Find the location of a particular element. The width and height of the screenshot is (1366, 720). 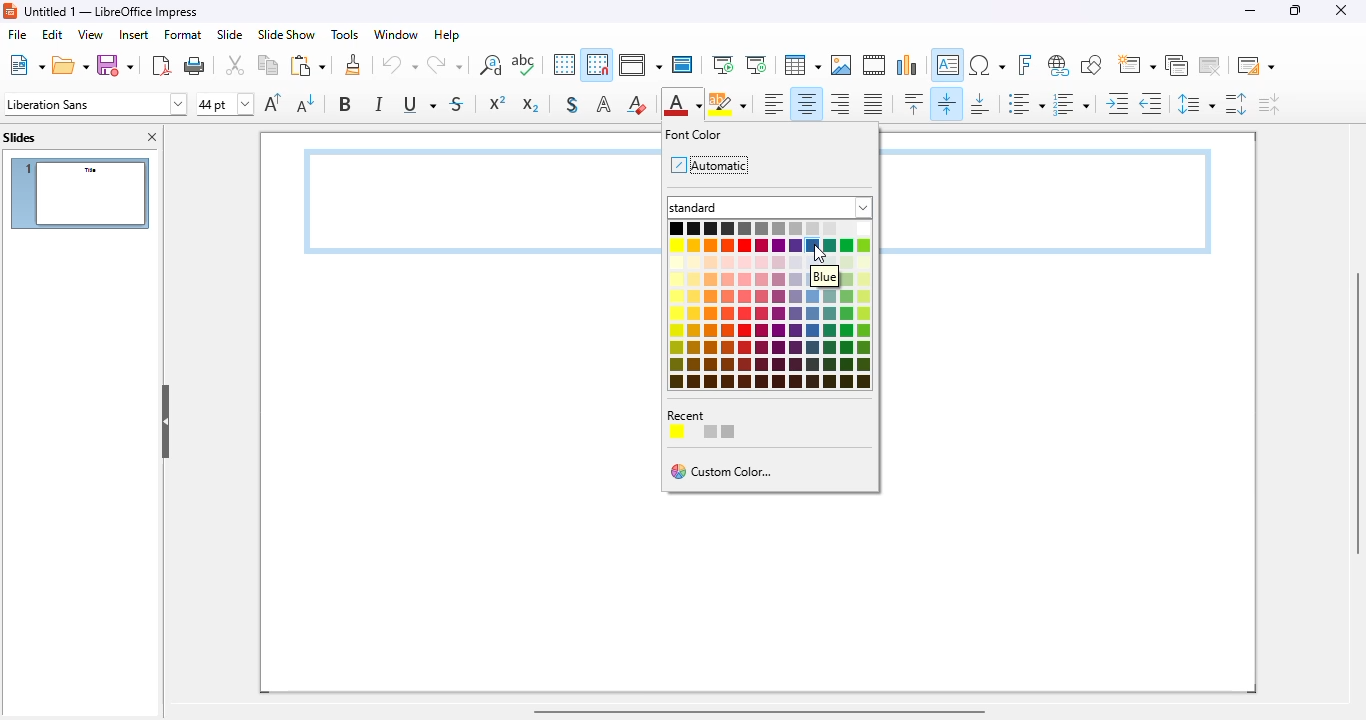

hide is located at coordinates (166, 421).